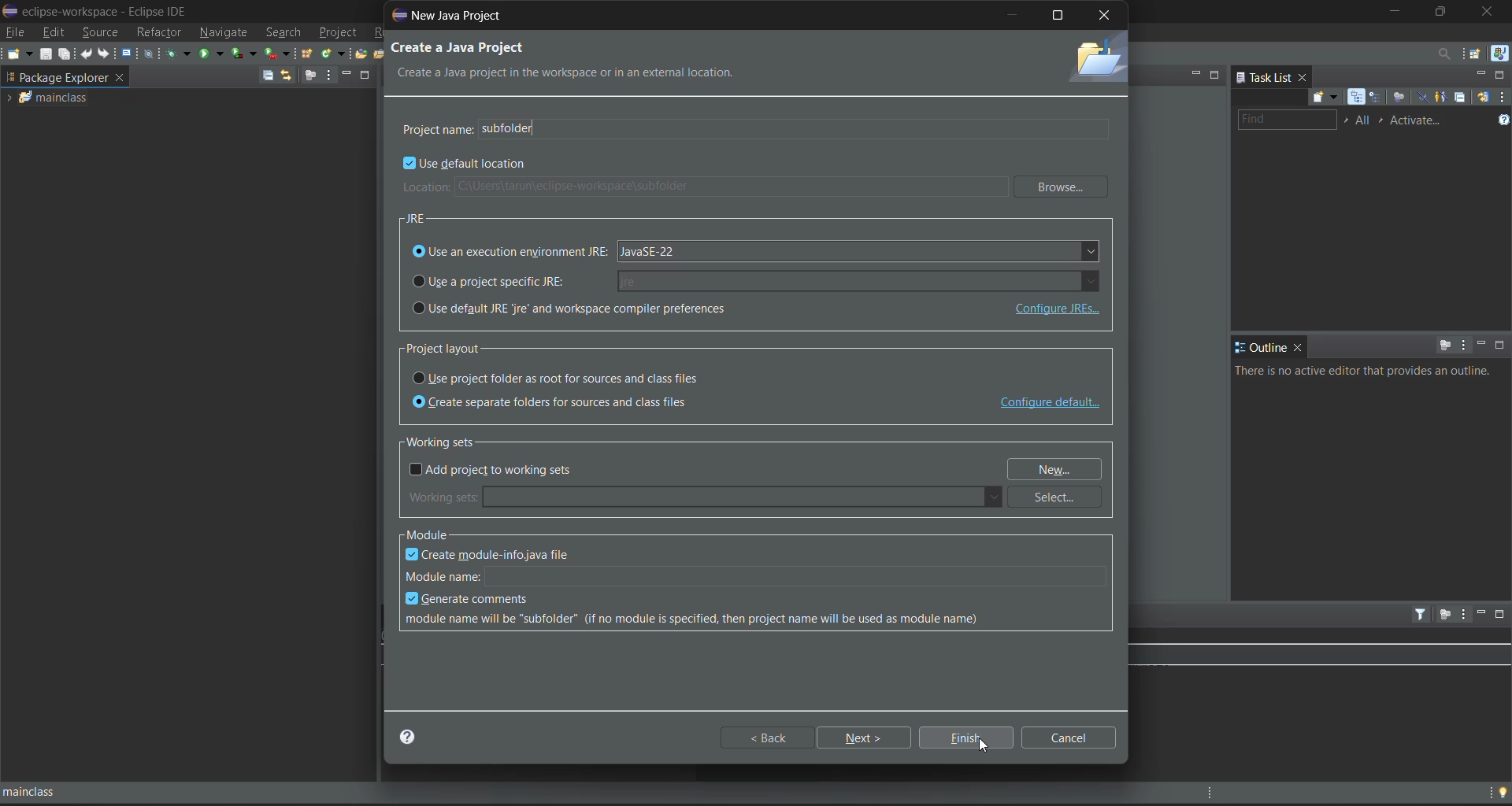  Describe the element at coordinates (98, 9) in the screenshot. I see `eclipse-workspace - Eclipse IDE` at that location.